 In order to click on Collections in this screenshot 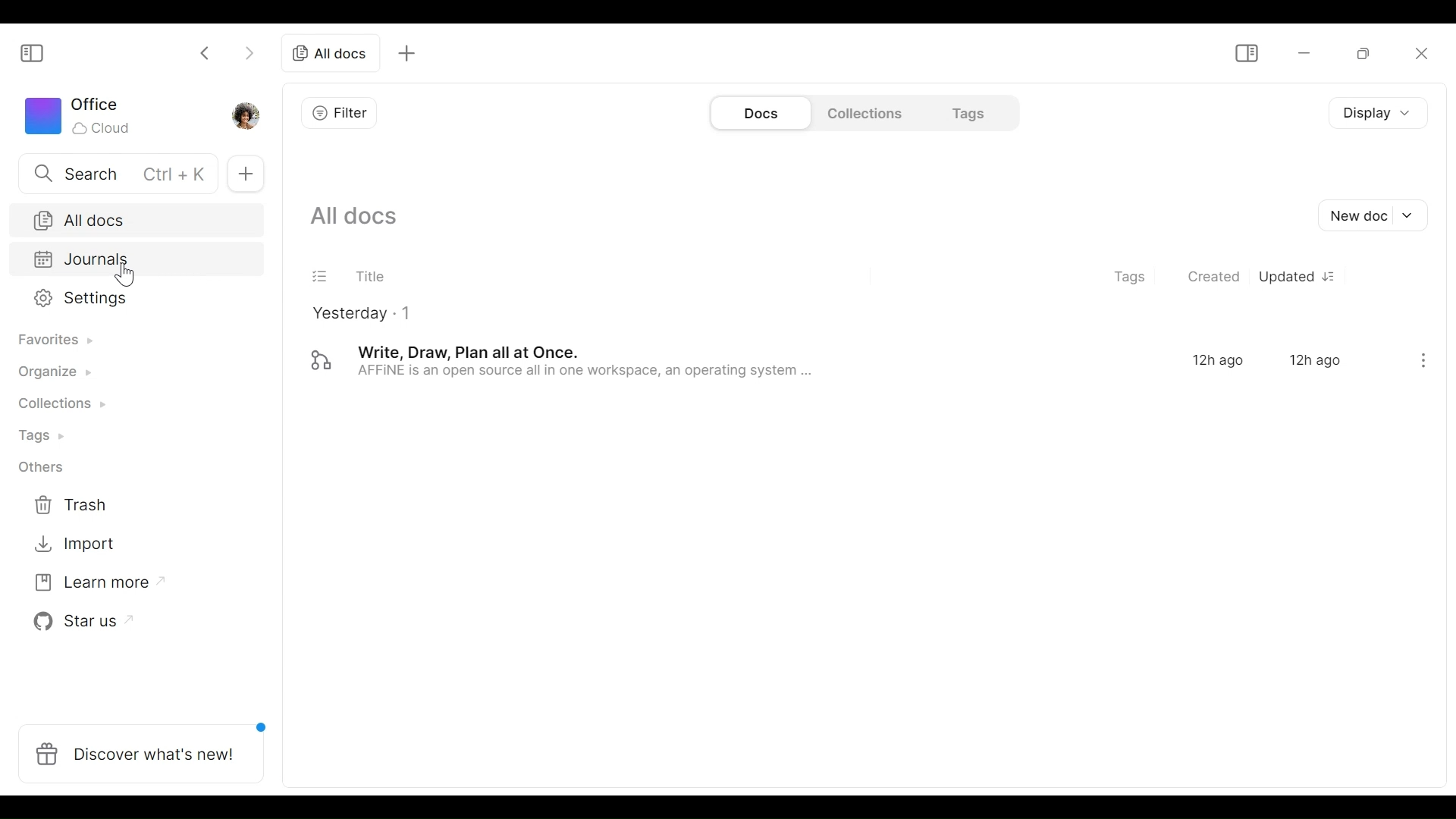, I will do `click(864, 112)`.